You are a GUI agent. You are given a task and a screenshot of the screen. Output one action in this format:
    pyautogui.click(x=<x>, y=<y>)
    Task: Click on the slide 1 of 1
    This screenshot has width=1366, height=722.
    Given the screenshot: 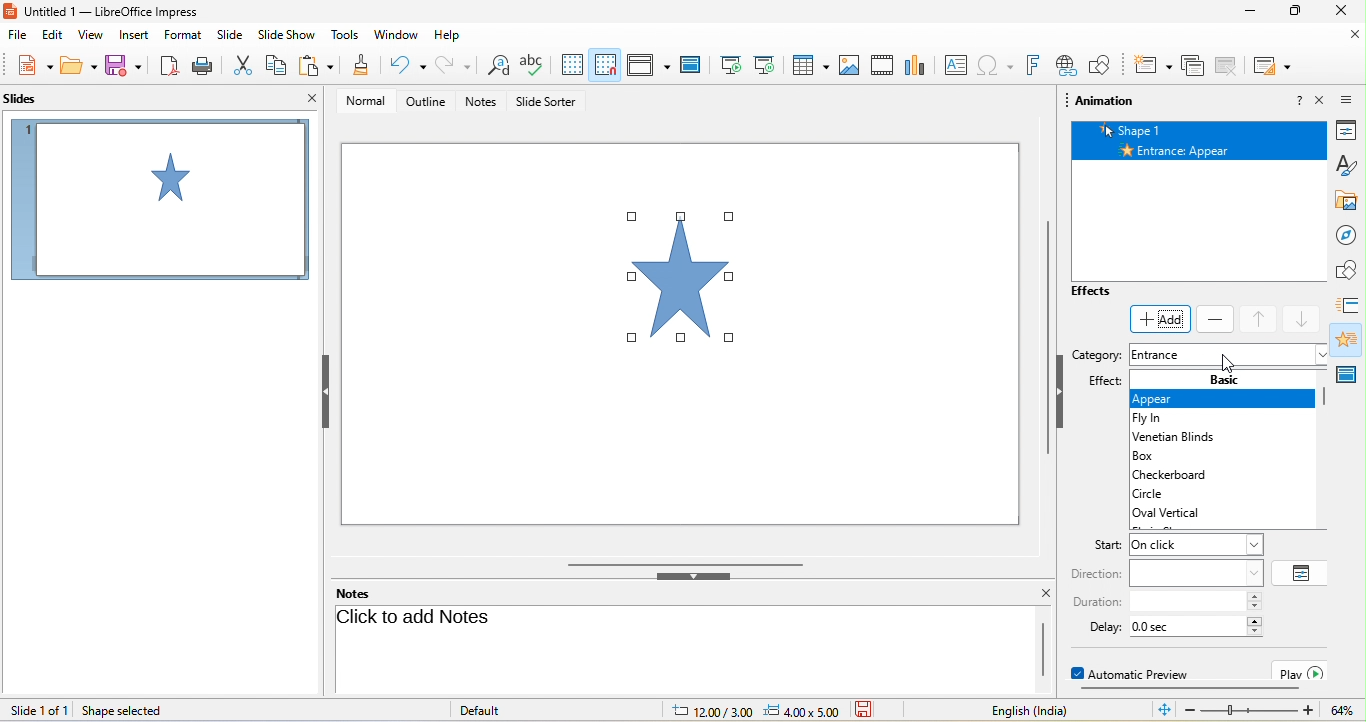 What is the action you would take?
    pyautogui.click(x=39, y=710)
    